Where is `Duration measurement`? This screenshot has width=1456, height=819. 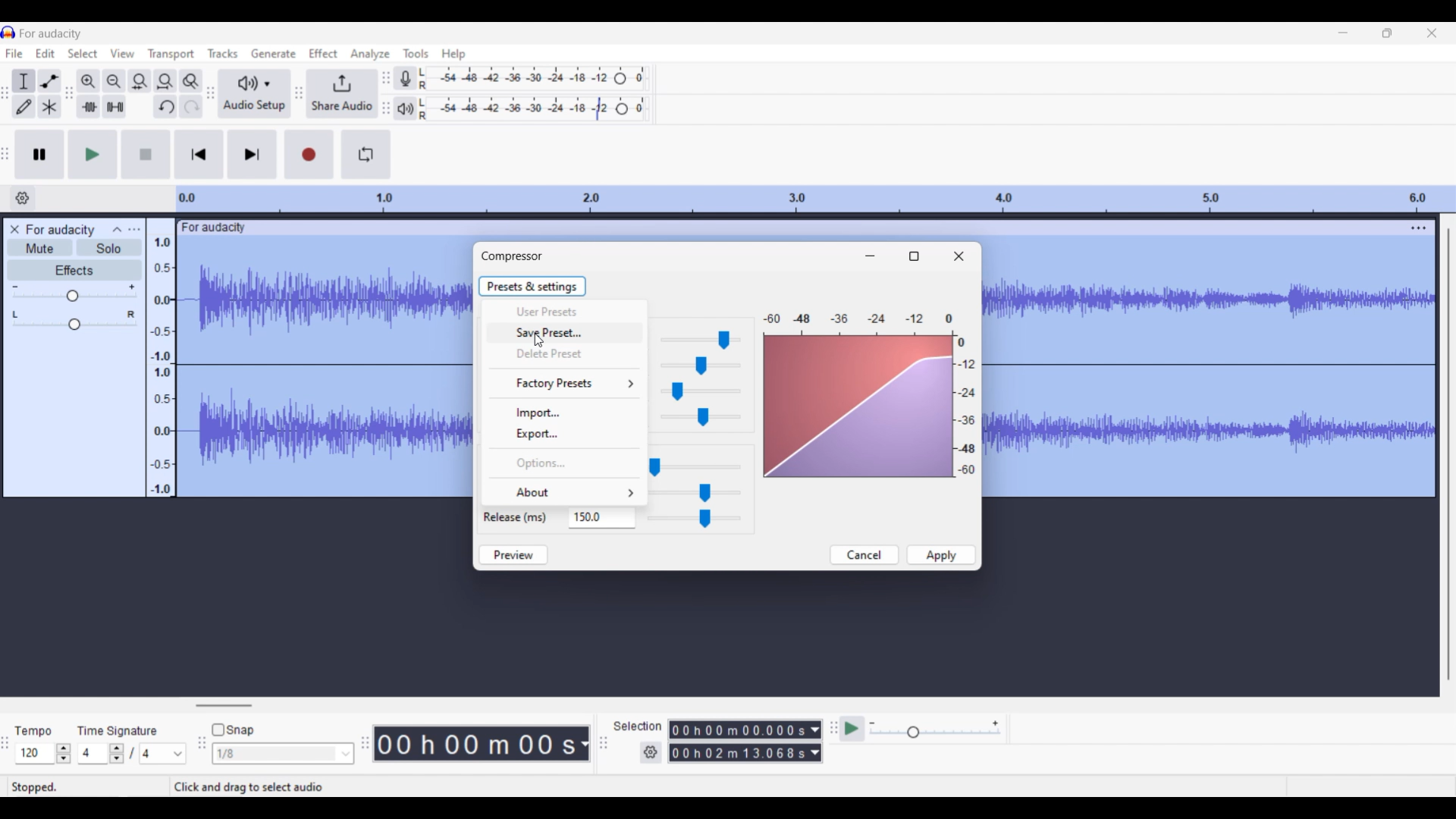 Duration measurement is located at coordinates (583, 744).